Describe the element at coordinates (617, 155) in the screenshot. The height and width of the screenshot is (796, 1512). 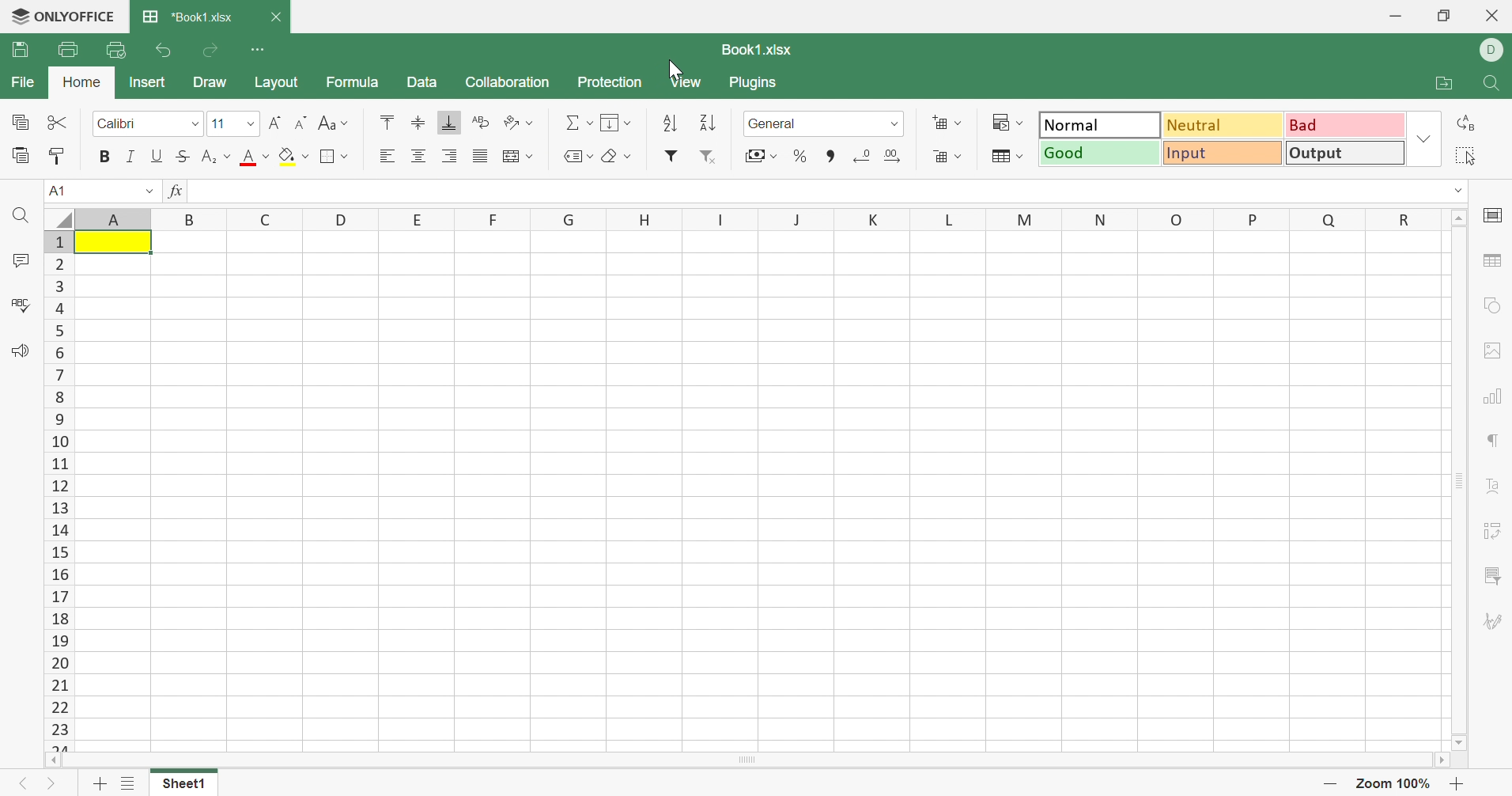
I see `Clear` at that location.